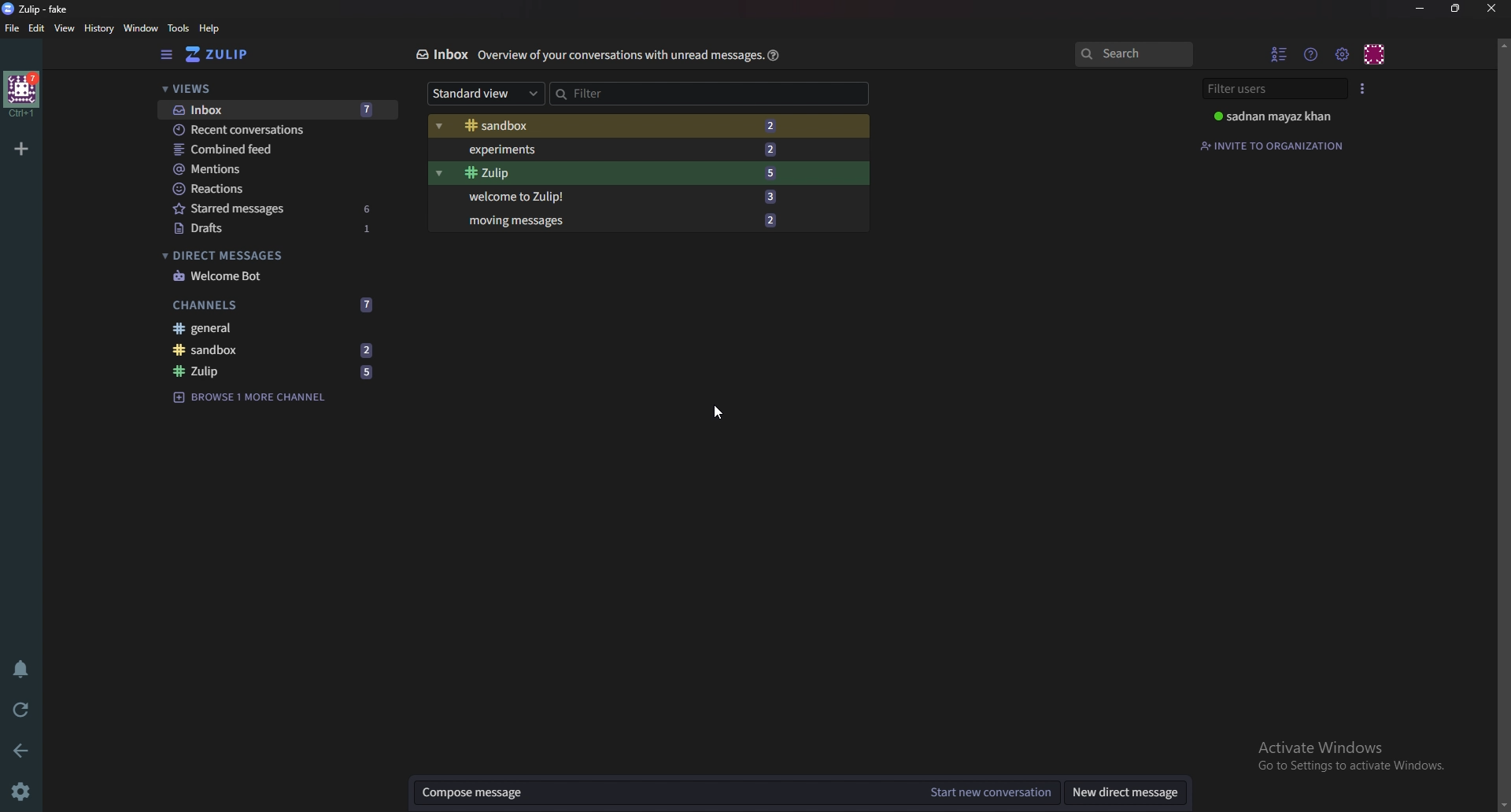 The image size is (1511, 812). Describe the element at coordinates (1343, 54) in the screenshot. I see `settings` at that location.